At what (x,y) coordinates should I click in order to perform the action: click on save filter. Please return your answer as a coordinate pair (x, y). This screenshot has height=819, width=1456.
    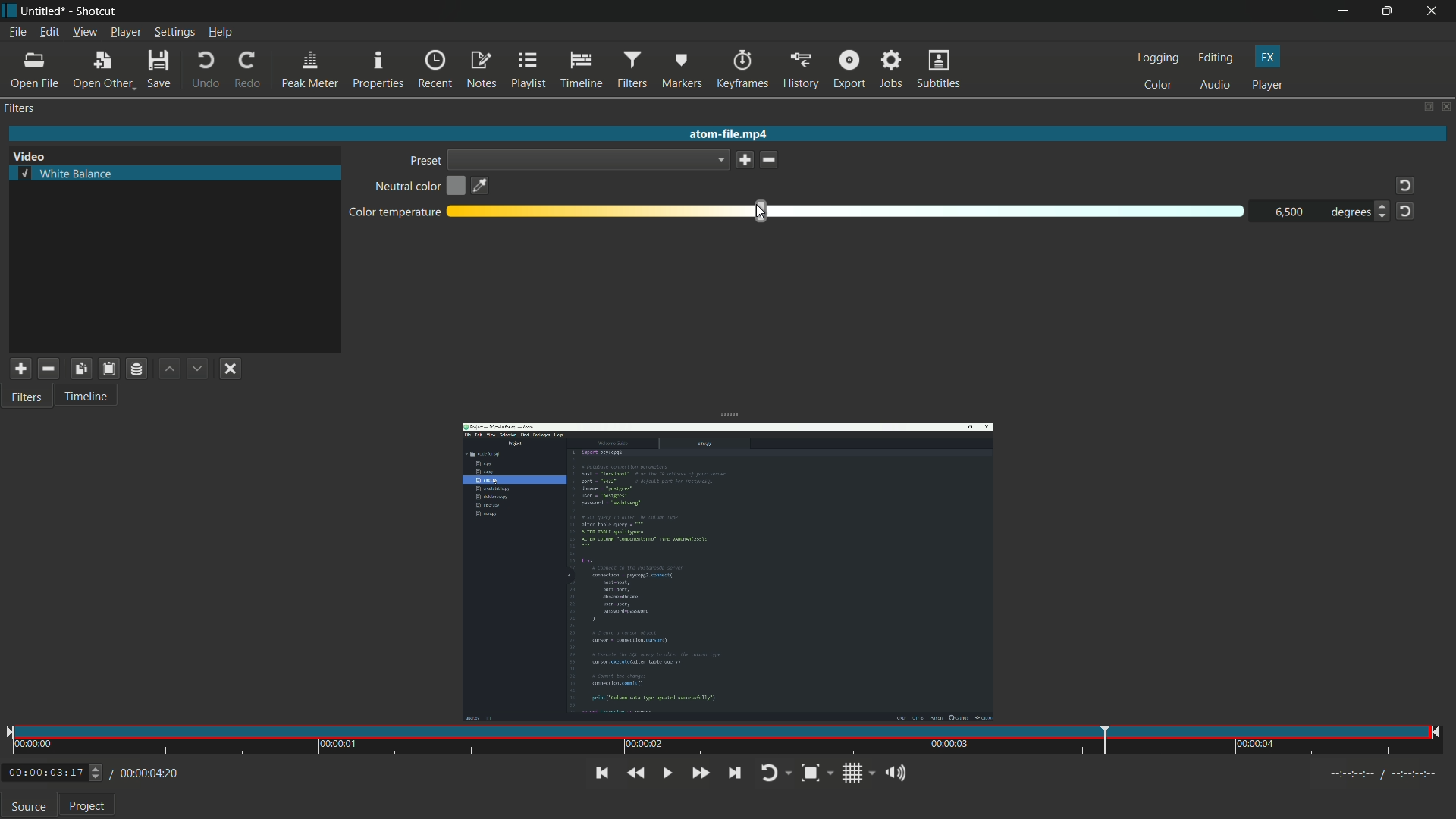
    Looking at the image, I should click on (108, 369).